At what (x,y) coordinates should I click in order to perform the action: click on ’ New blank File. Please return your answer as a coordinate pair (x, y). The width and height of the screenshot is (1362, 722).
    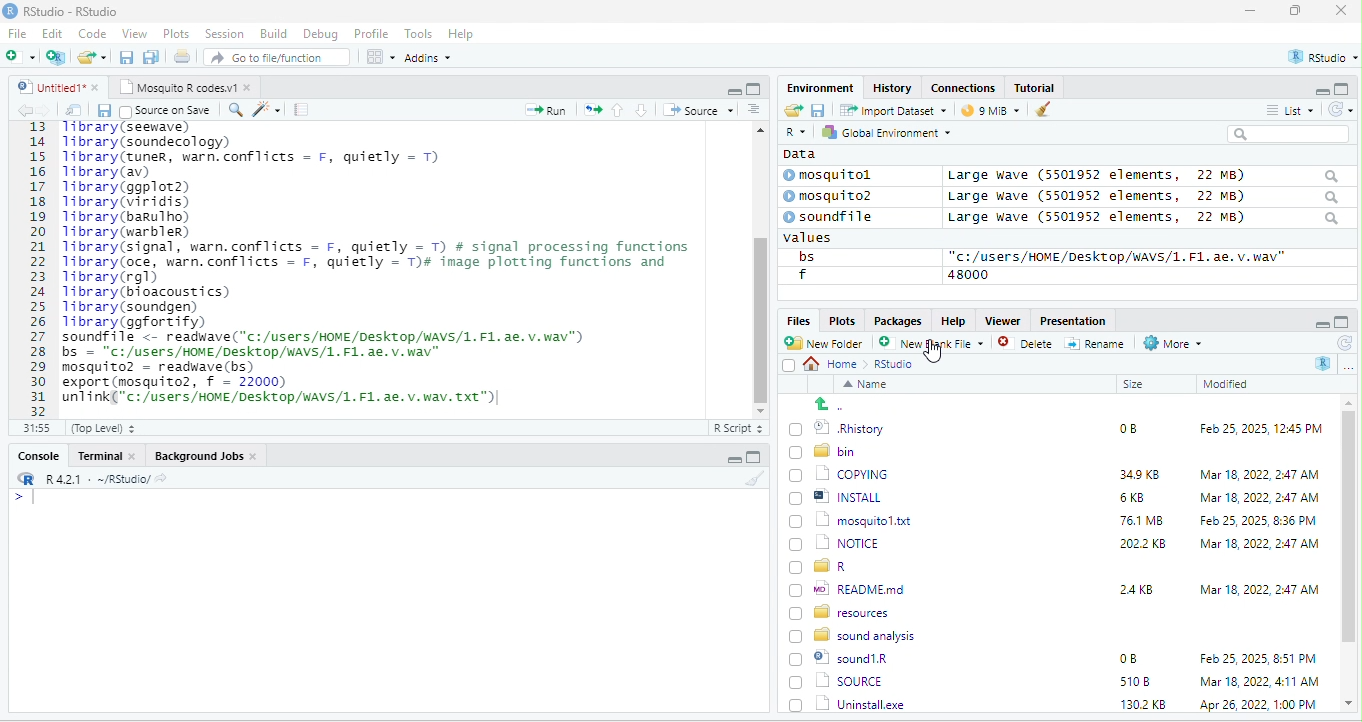
    Looking at the image, I should click on (937, 346).